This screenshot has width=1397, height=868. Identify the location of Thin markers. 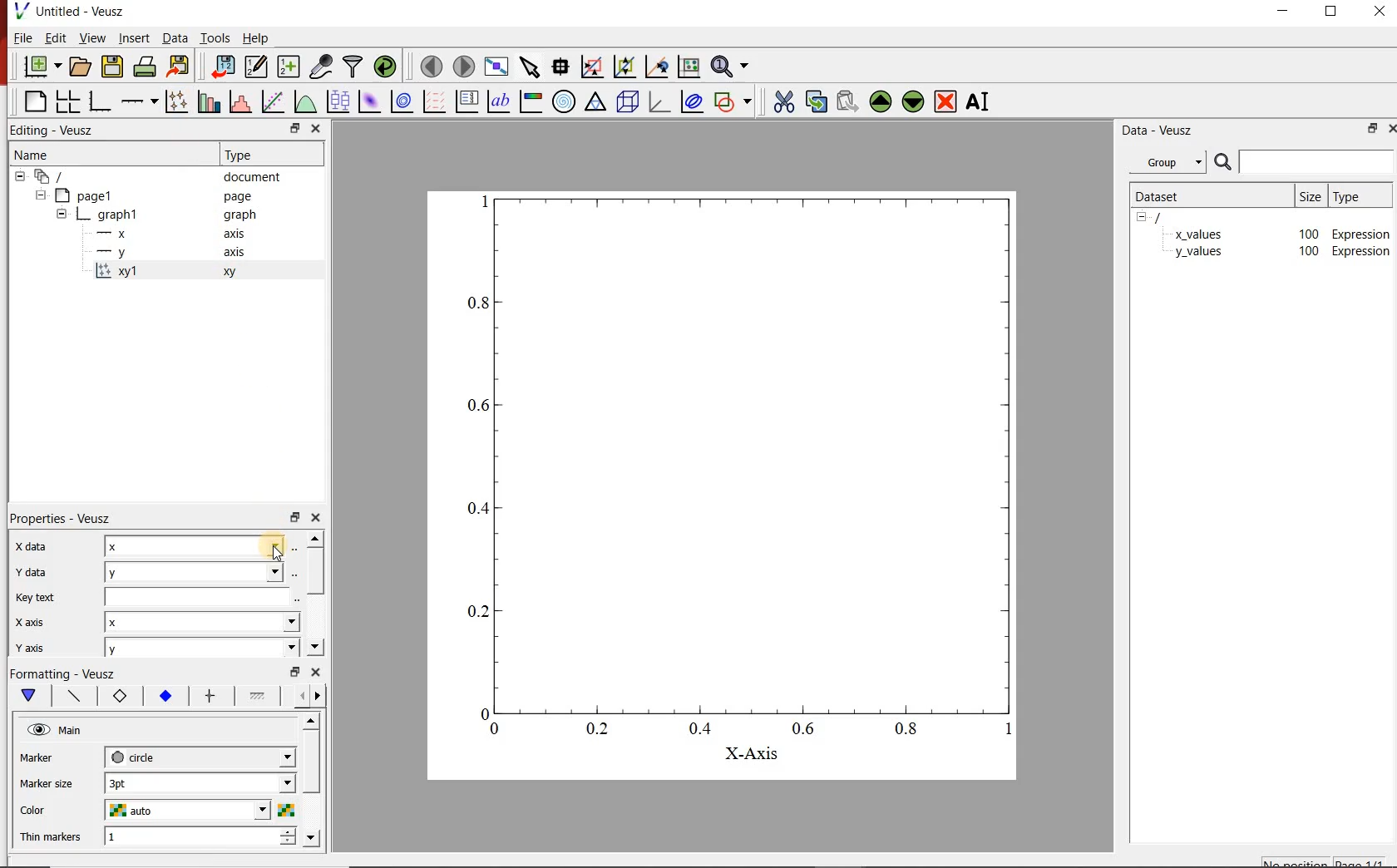
(51, 837).